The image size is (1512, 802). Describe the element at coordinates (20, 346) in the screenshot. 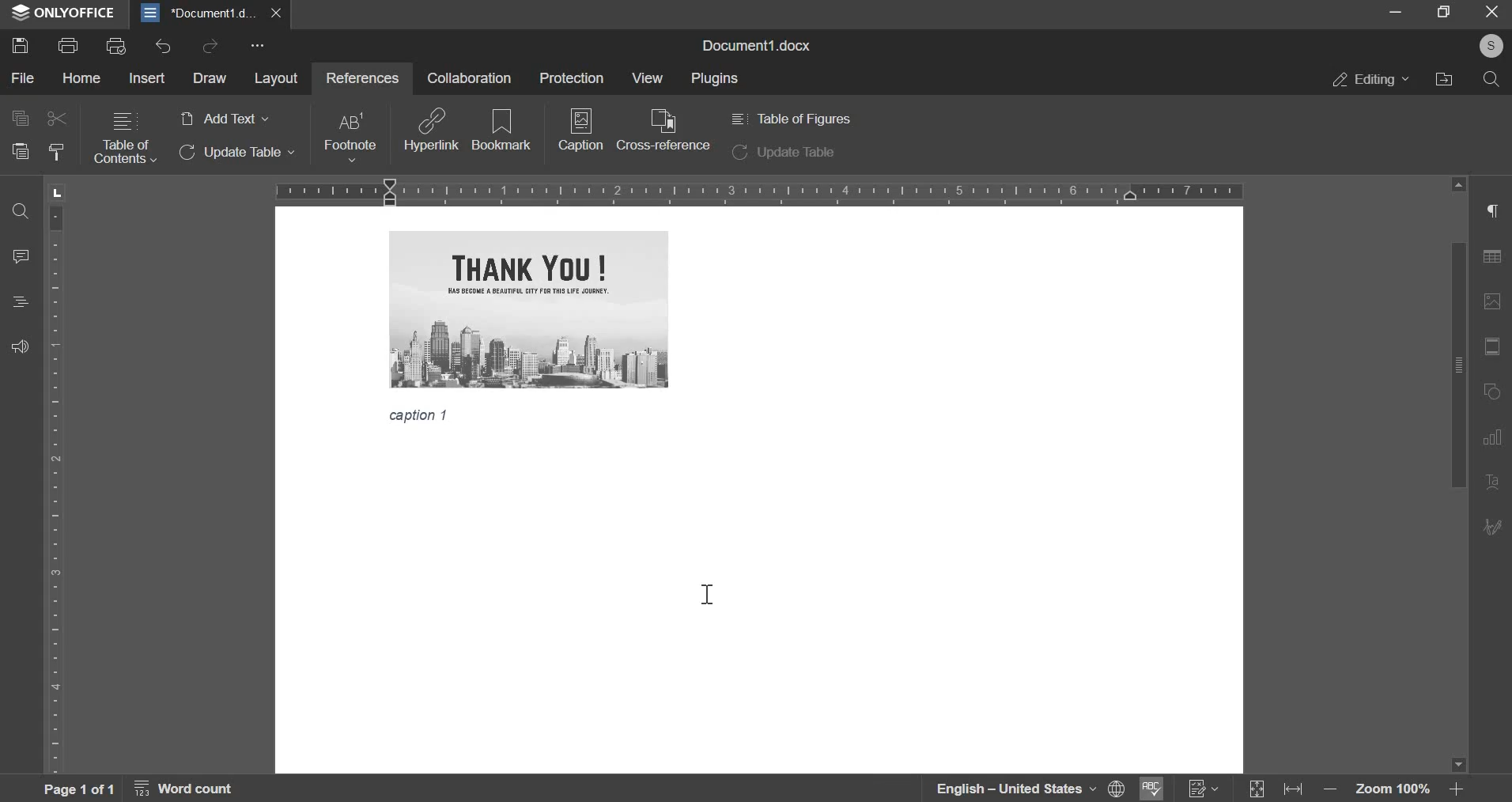

I see `feedback` at that location.